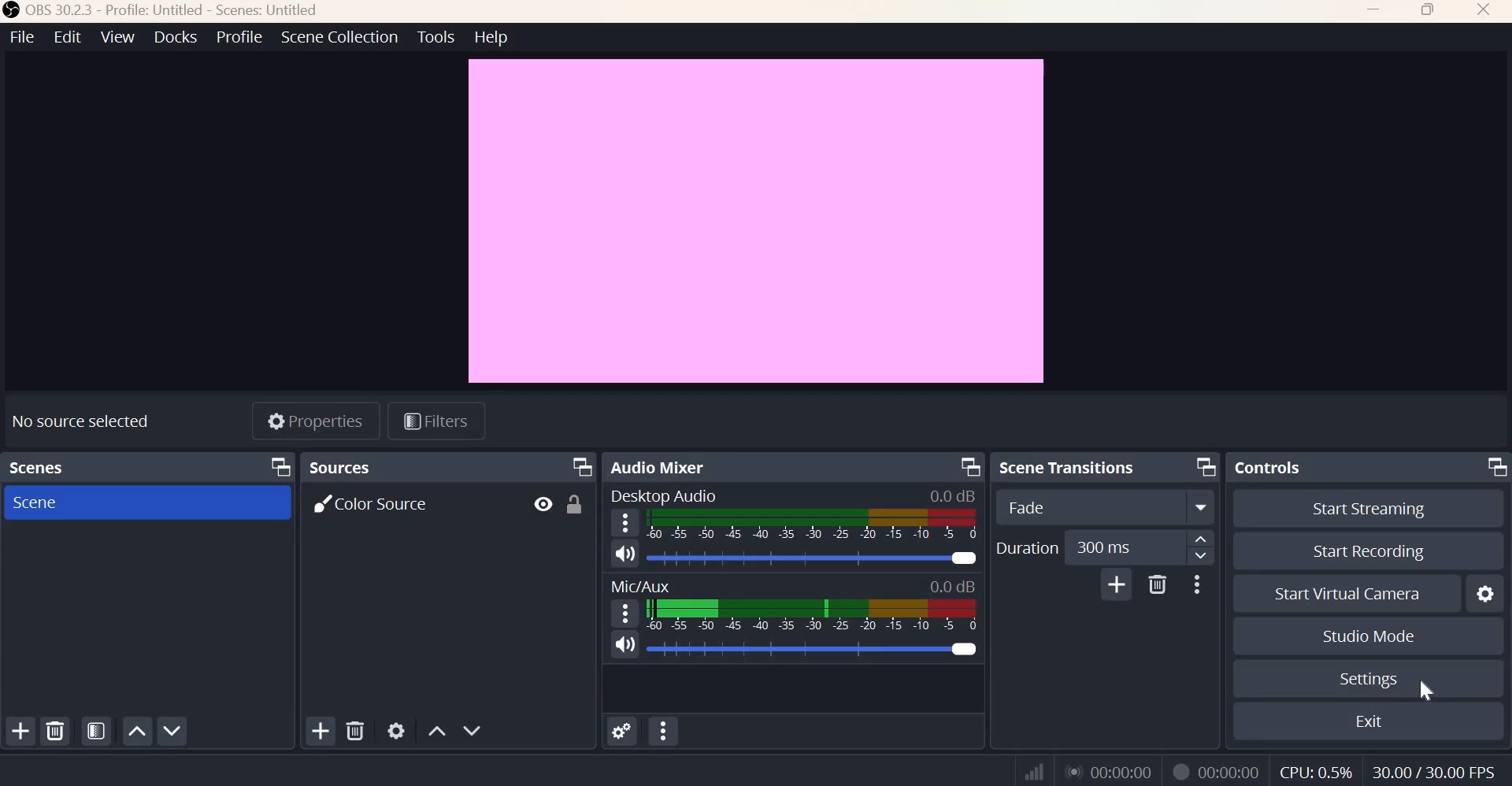  What do you see at coordinates (1199, 584) in the screenshot?
I see `More Options` at bounding box center [1199, 584].